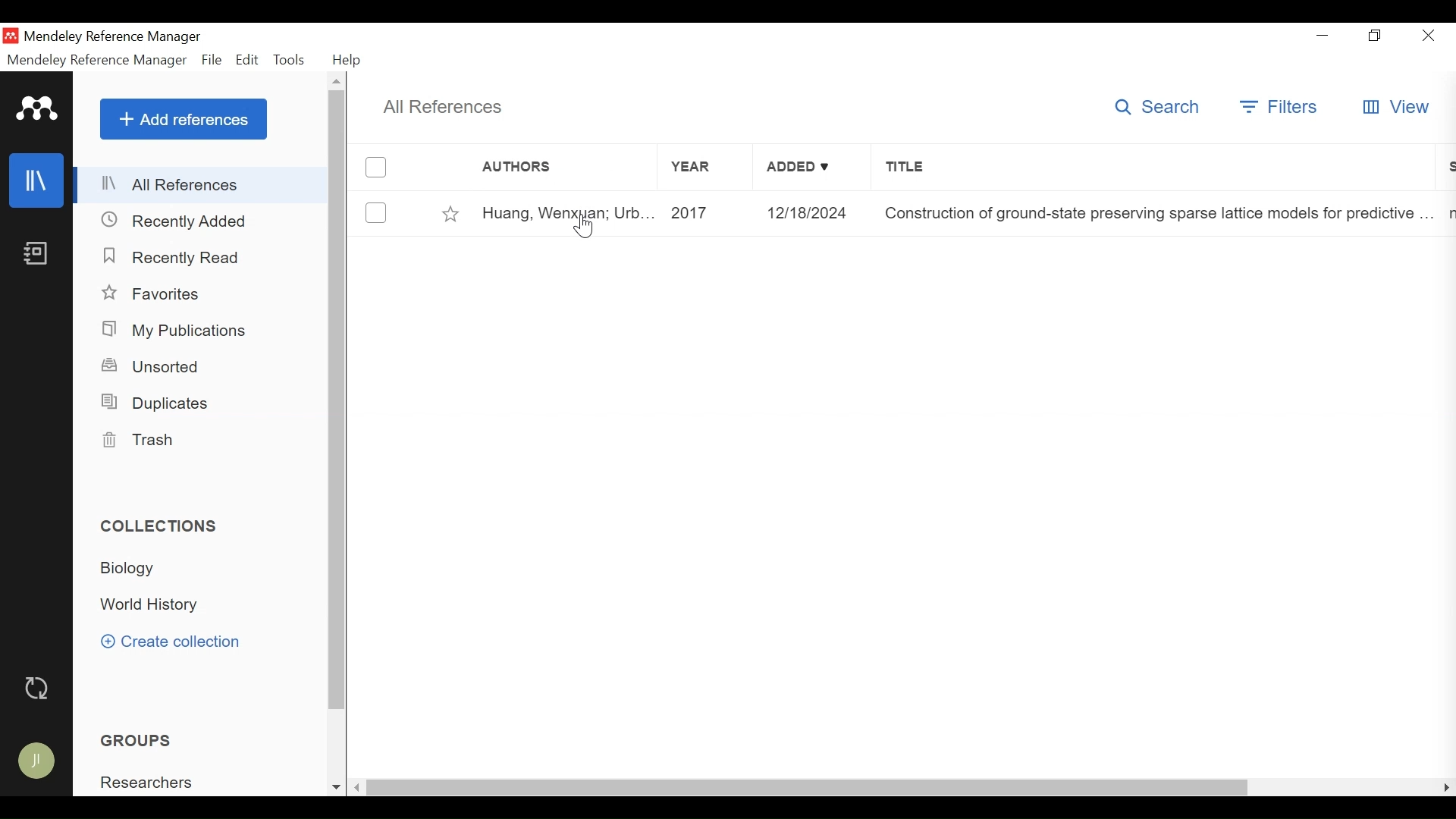 This screenshot has width=1456, height=819. What do you see at coordinates (1373, 35) in the screenshot?
I see `Restore` at bounding box center [1373, 35].